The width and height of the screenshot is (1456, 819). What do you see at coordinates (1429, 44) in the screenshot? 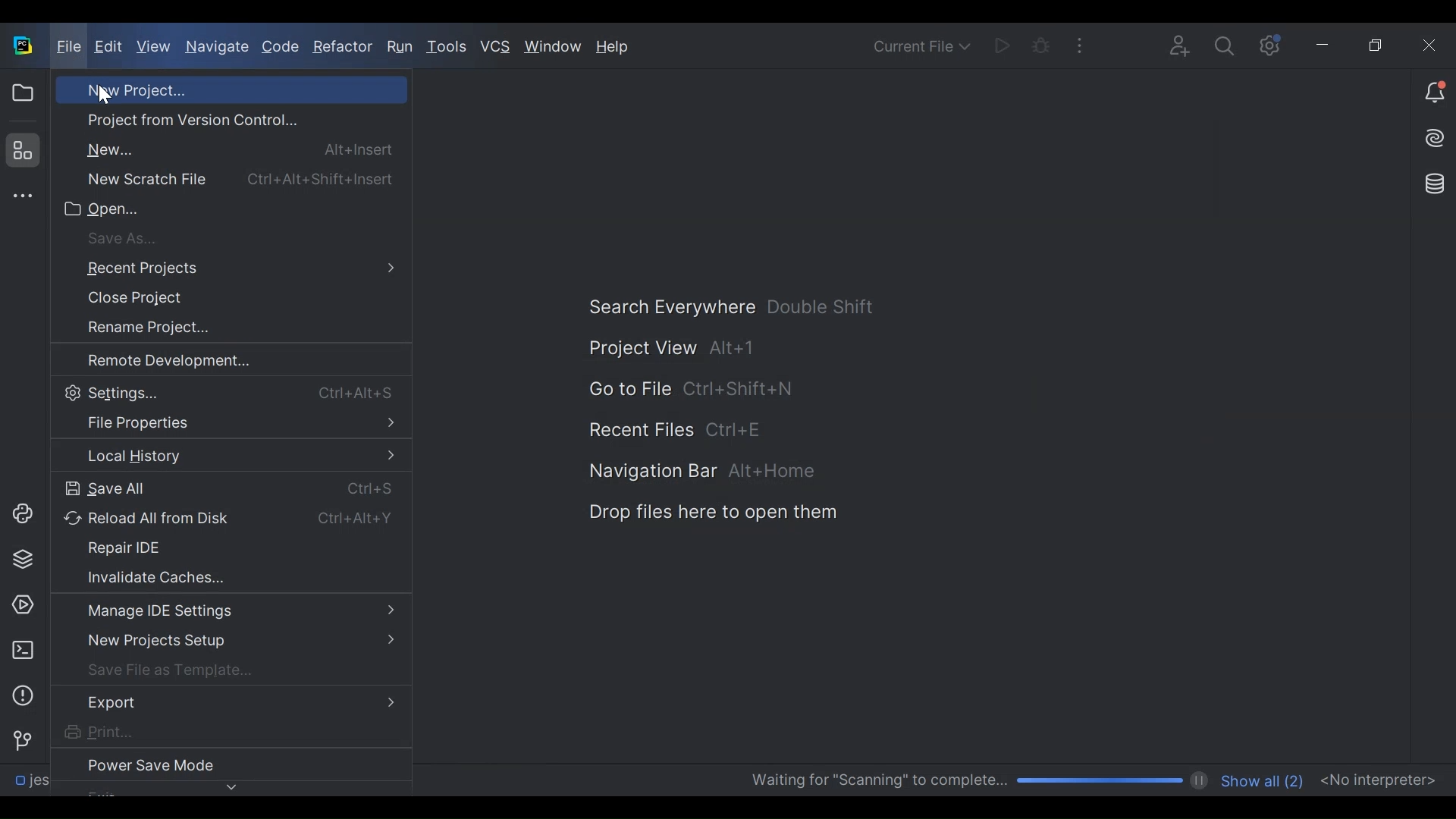
I see `Close` at bounding box center [1429, 44].